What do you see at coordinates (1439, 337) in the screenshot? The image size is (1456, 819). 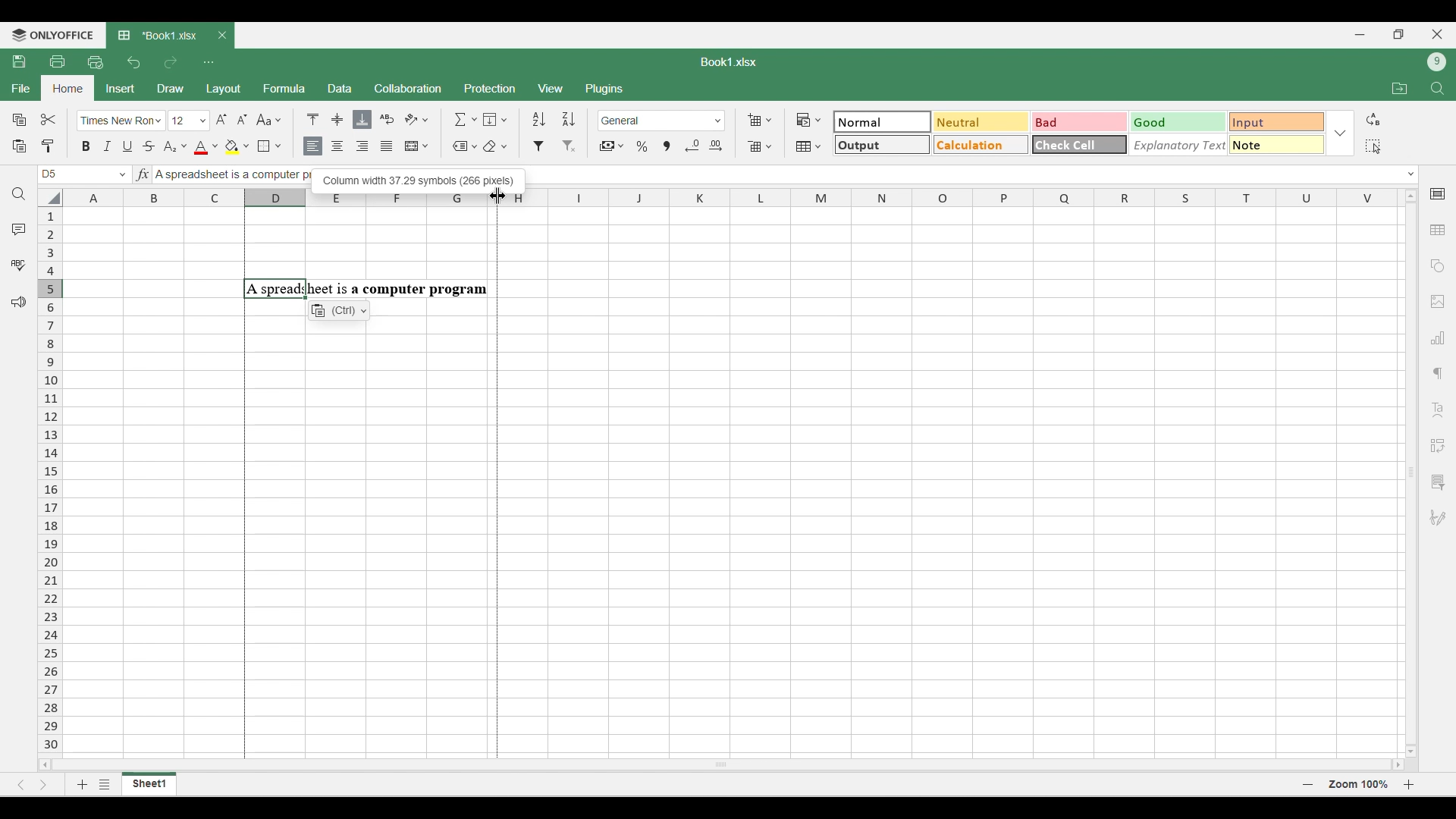 I see `Insert chart` at bounding box center [1439, 337].